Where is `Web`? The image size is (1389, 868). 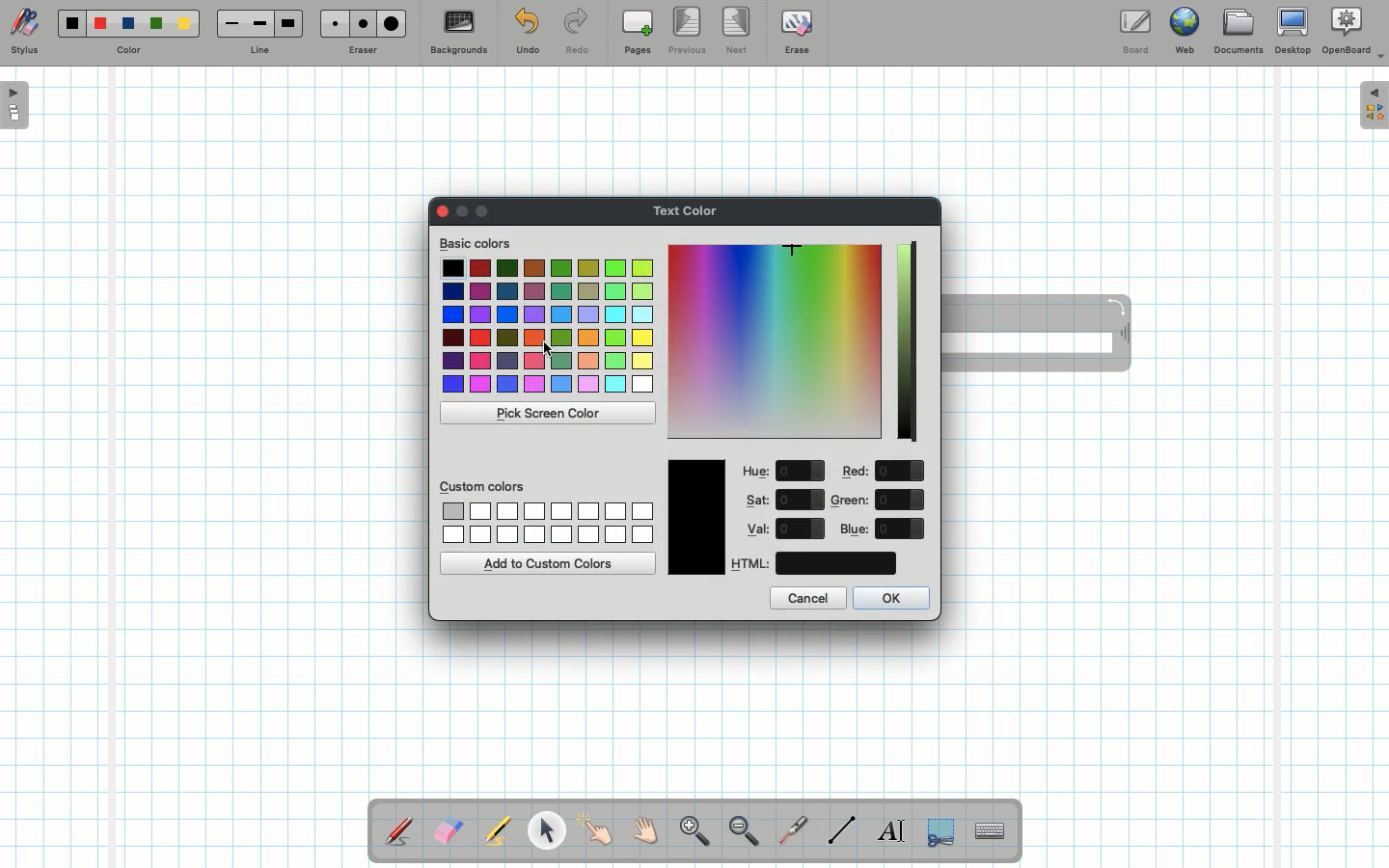 Web is located at coordinates (1184, 35).